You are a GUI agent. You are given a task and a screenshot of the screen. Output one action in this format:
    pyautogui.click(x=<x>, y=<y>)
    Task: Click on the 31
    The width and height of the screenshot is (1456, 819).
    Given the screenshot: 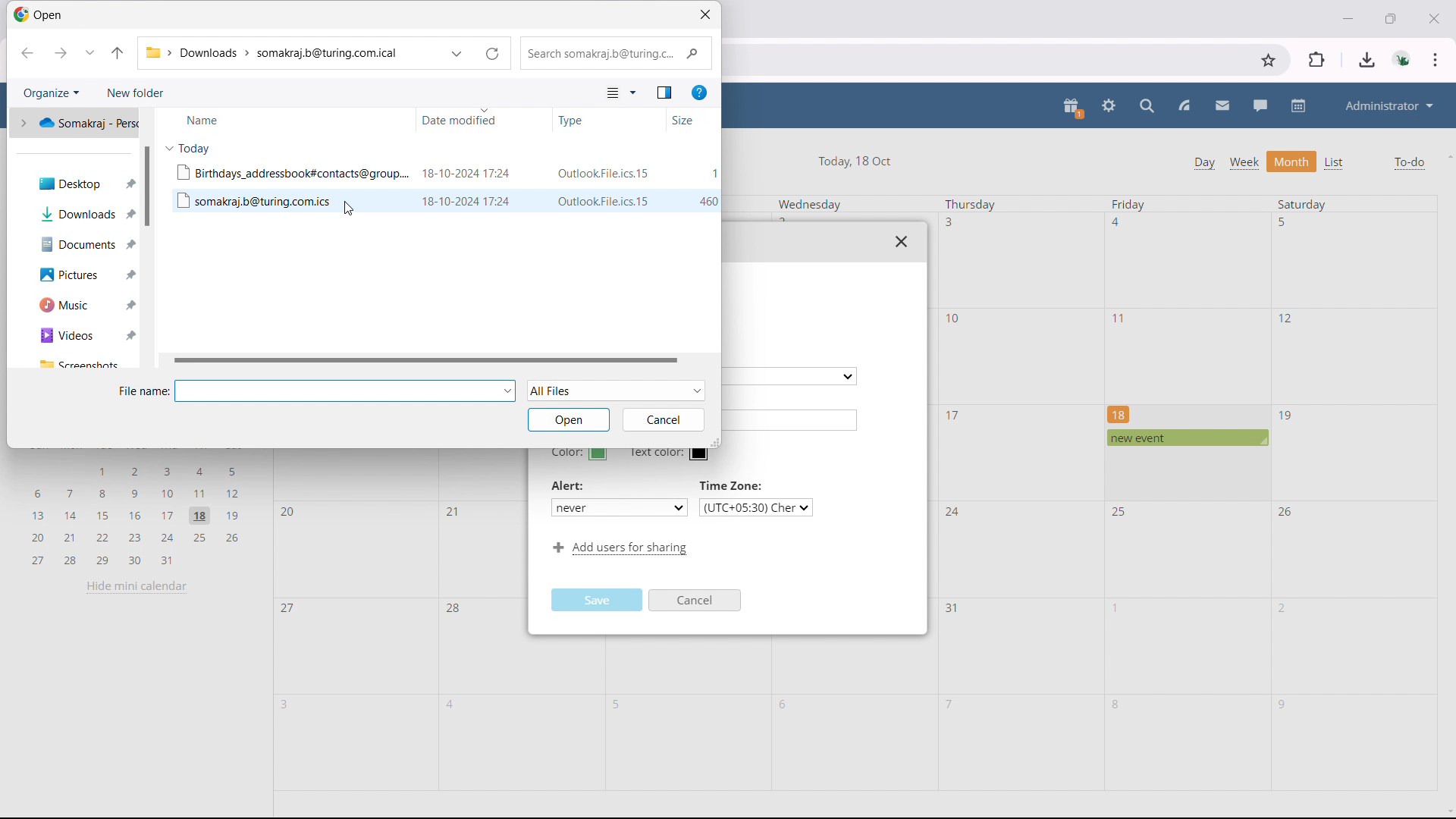 What is the action you would take?
    pyautogui.click(x=952, y=608)
    